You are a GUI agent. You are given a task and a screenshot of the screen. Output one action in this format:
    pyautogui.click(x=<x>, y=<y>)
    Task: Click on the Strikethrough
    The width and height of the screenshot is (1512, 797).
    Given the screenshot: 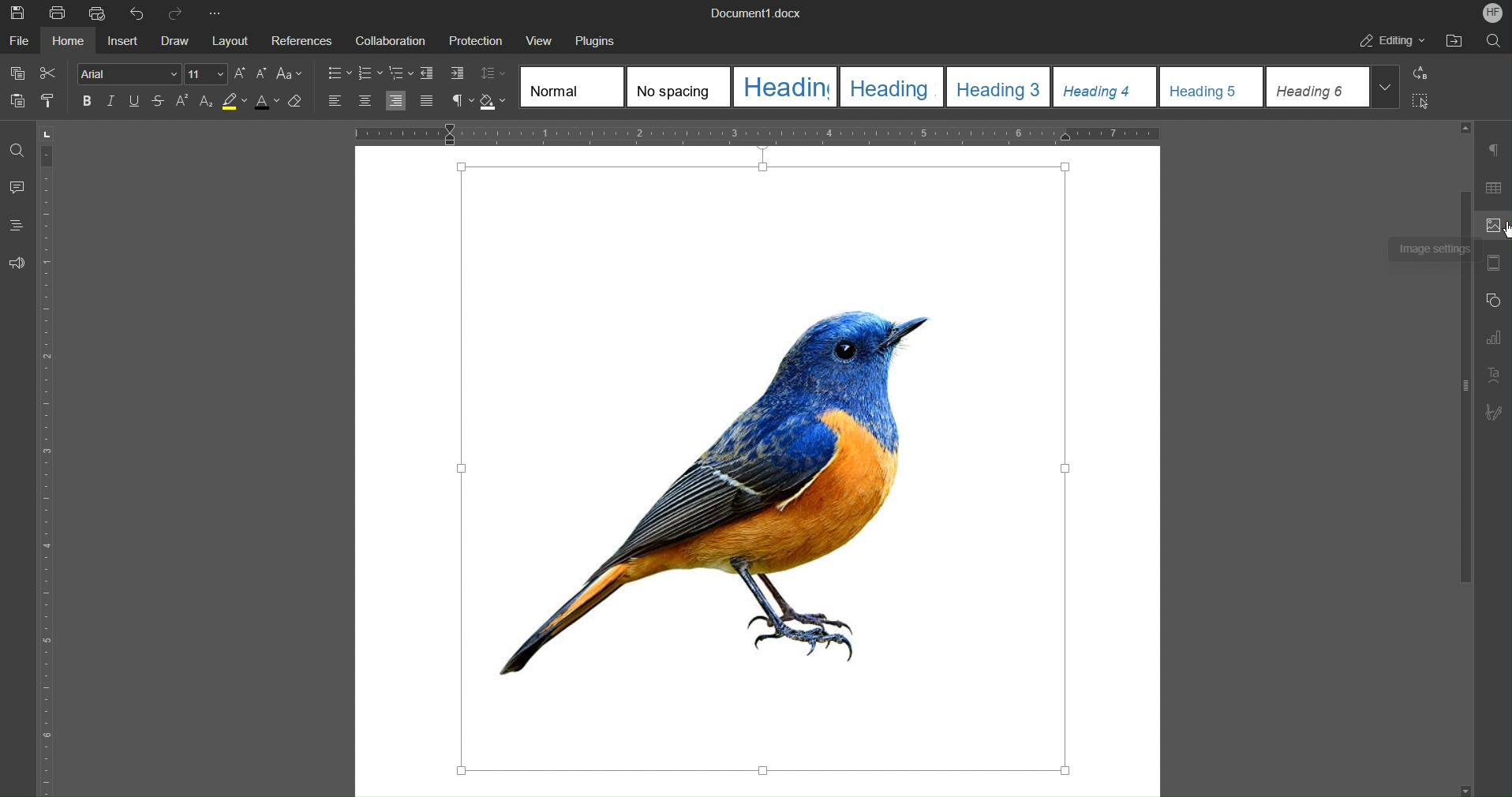 What is the action you would take?
    pyautogui.click(x=159, y=103)
    